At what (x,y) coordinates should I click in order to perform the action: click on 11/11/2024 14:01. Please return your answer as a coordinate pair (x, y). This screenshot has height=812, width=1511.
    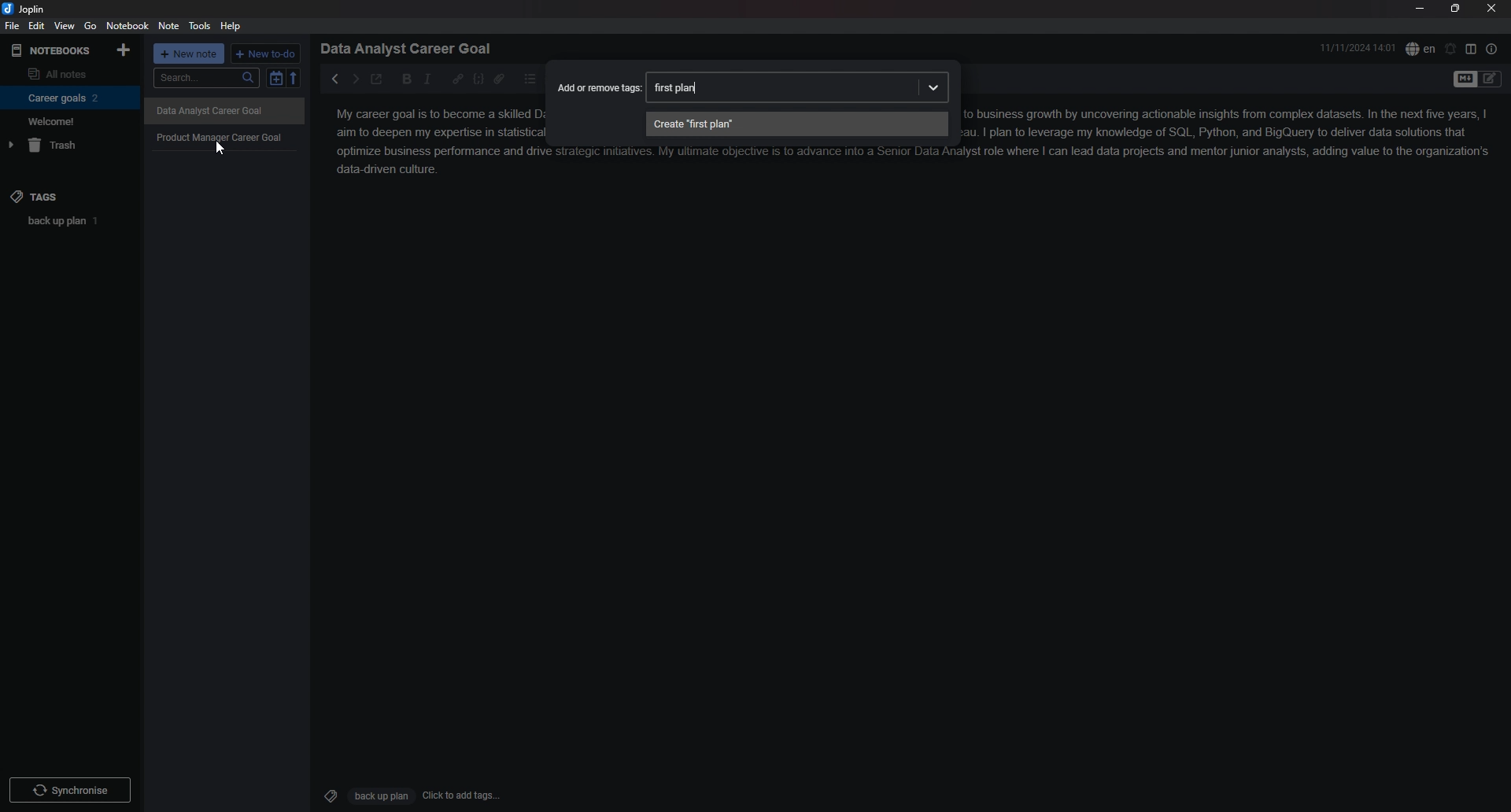
    Looking at the image, I should click on (1358, 47).